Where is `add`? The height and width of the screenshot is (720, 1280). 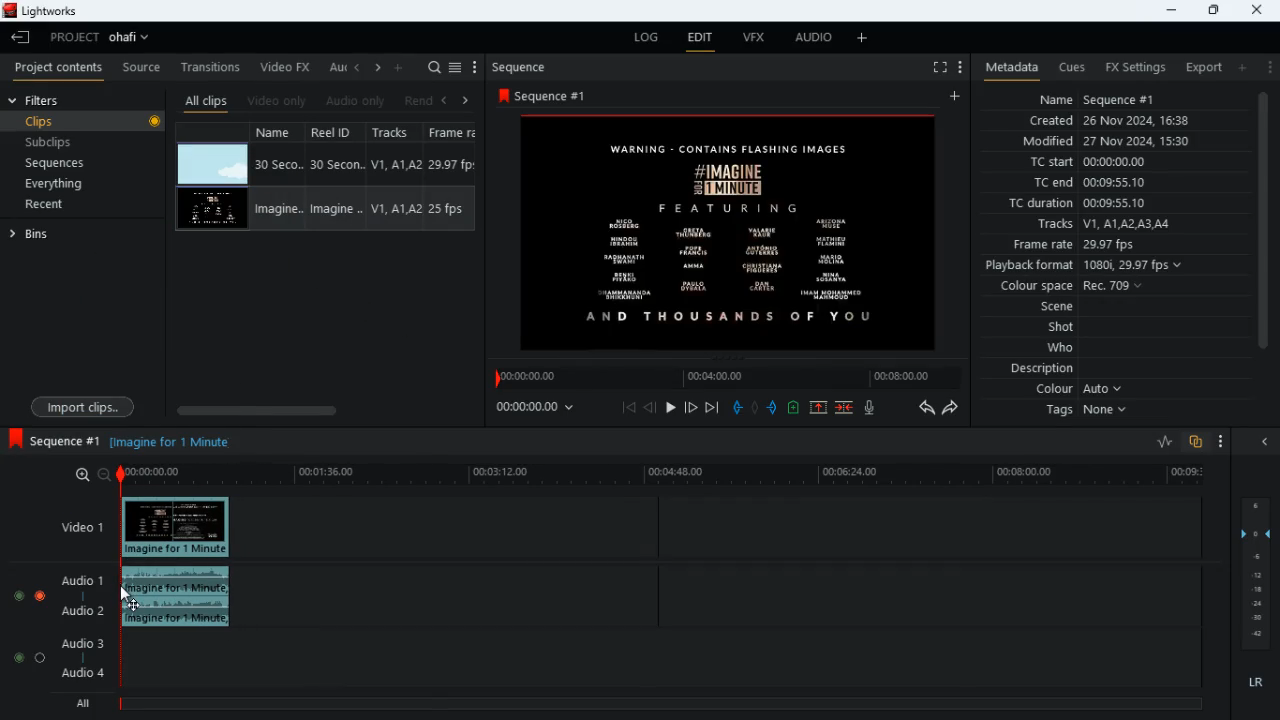
add is located at coordinates (958, 97).